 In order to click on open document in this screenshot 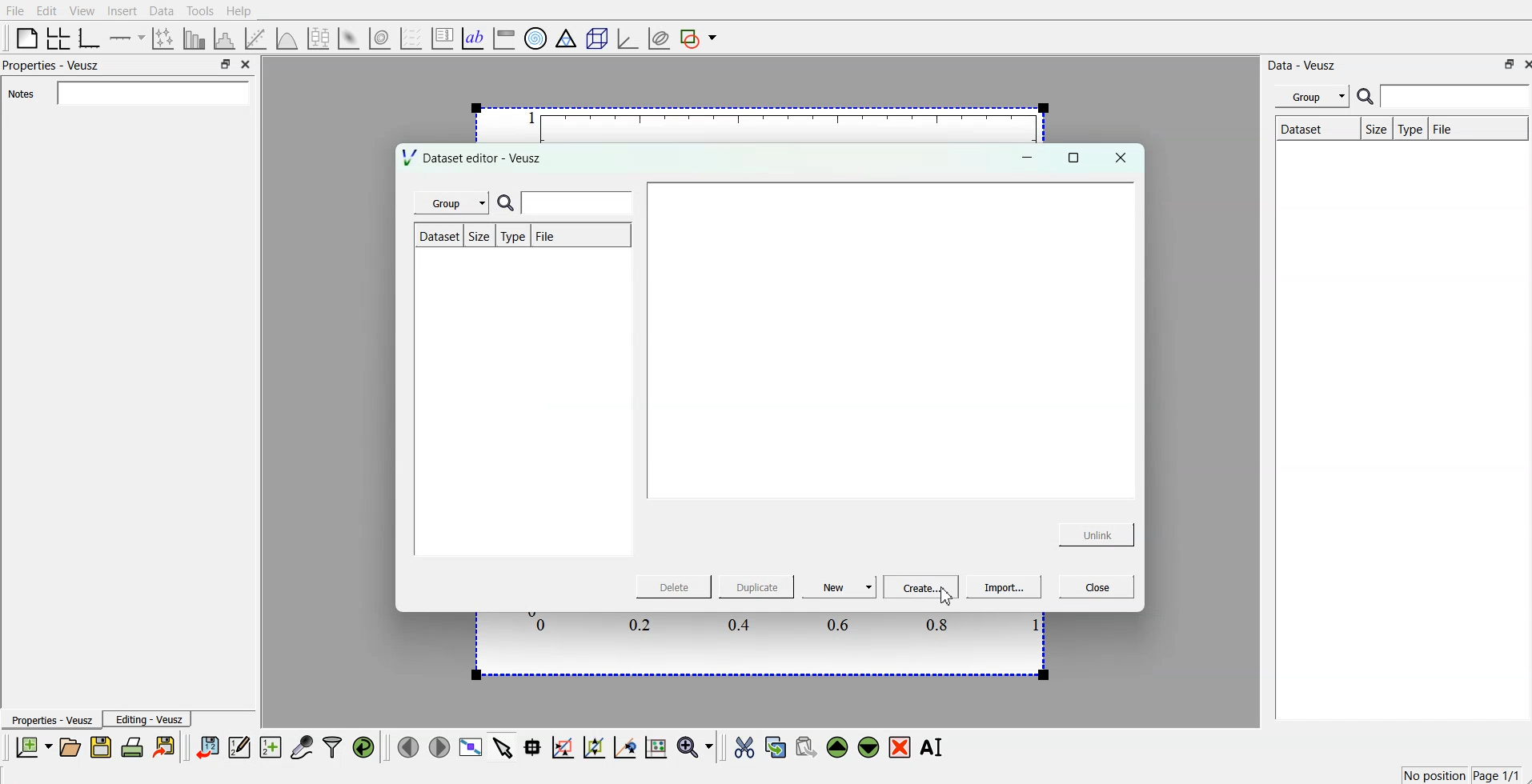, I will do `click(72, 748)`.